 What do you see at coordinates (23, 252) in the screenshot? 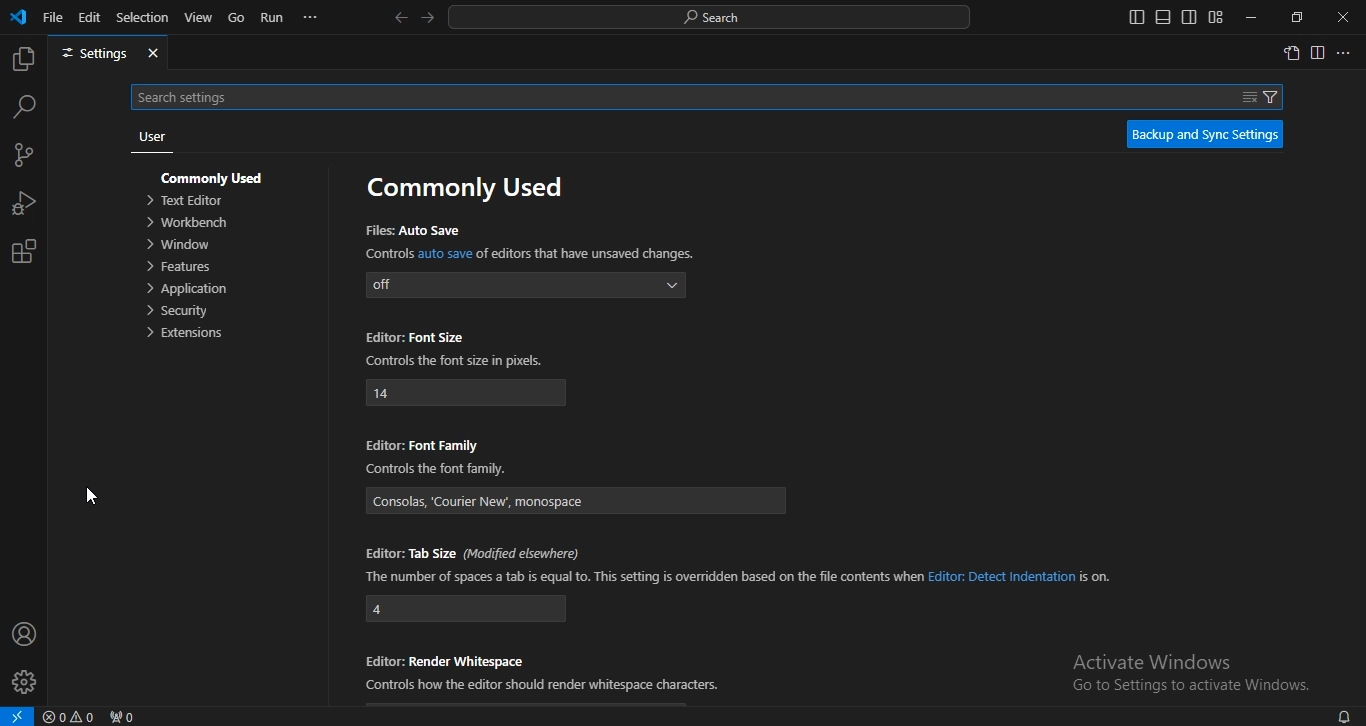
I see `extensions` at bounding box center [23, 252].